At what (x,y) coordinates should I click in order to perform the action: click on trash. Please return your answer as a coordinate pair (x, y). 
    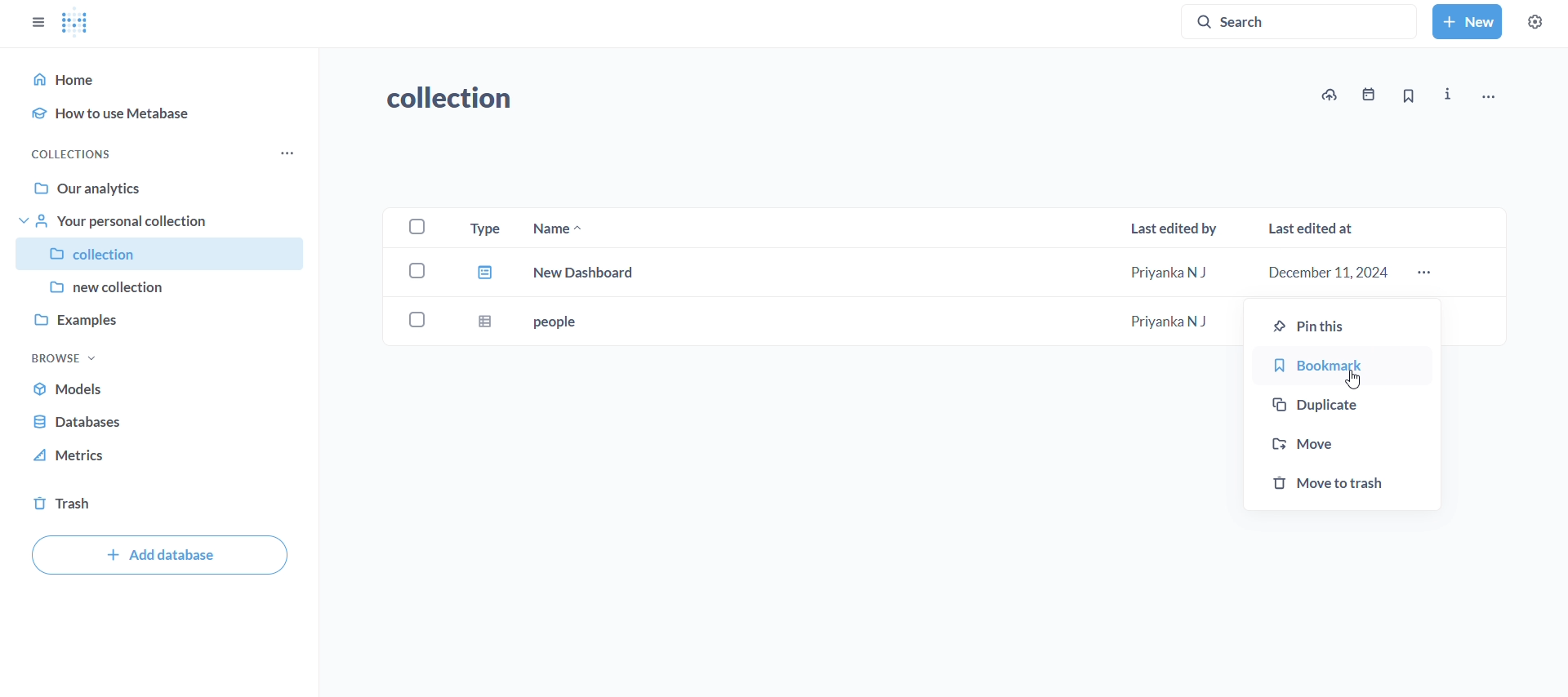
    Looking at the image, I should click on (62, 501).